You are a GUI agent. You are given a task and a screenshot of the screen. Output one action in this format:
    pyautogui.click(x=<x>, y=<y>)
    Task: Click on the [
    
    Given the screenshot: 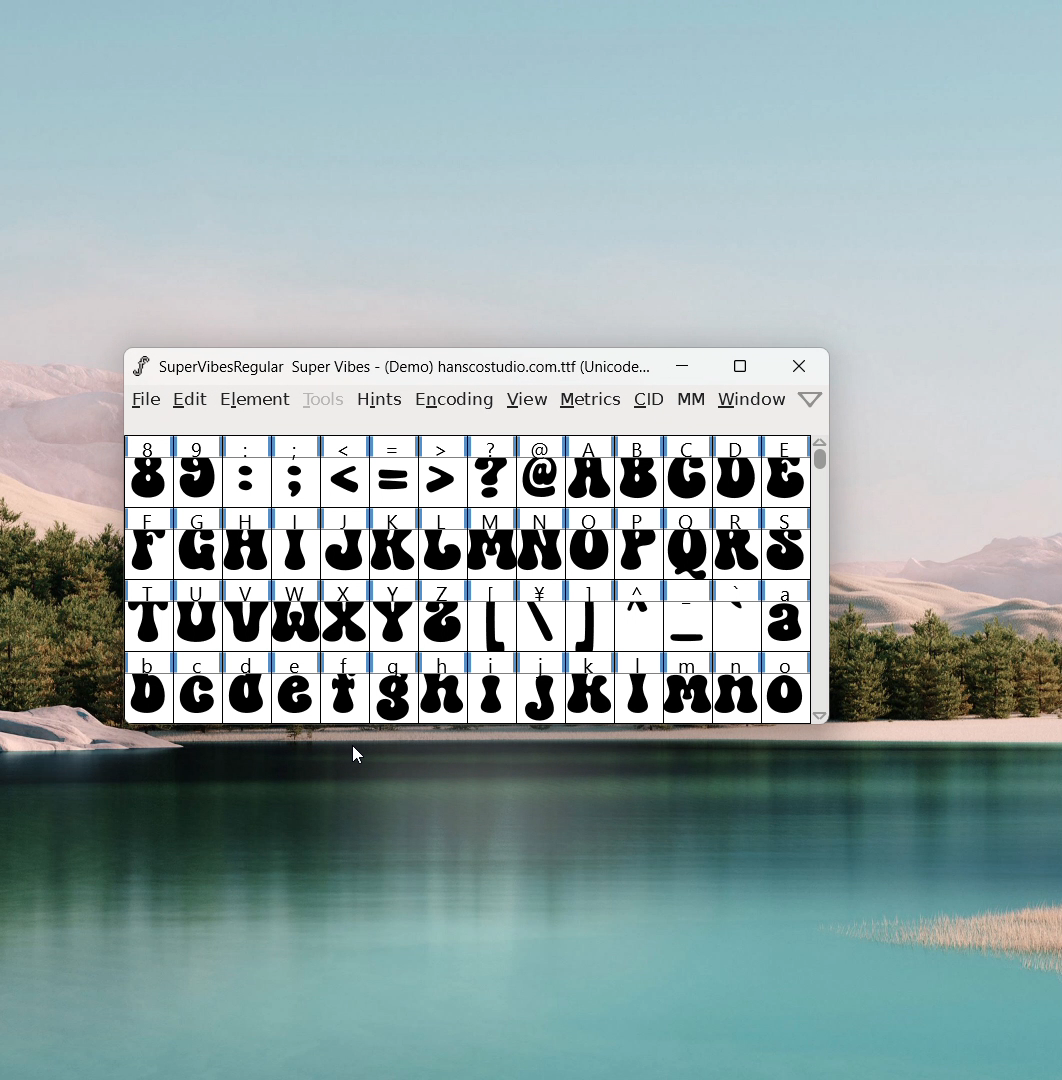 What is the action you would take?
    pyautogui.click(x=493, y=616)
    